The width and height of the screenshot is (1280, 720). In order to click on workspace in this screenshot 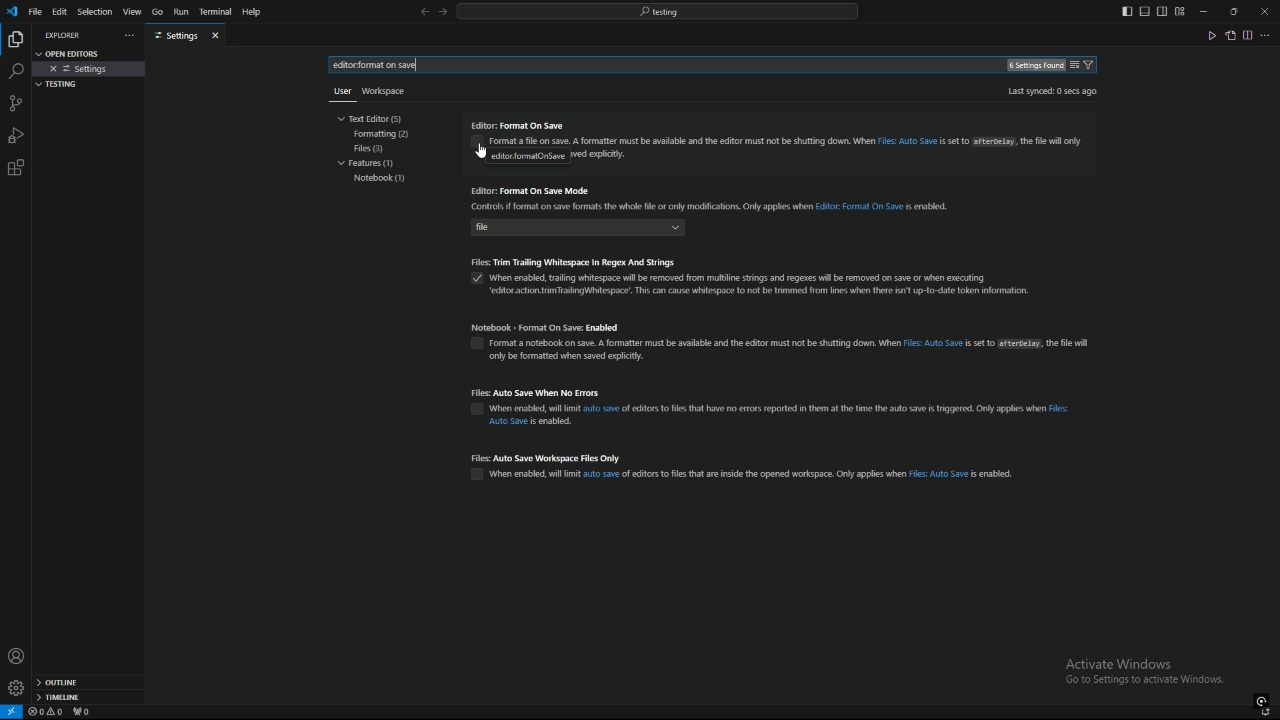, I will do `click(388, 89)`.